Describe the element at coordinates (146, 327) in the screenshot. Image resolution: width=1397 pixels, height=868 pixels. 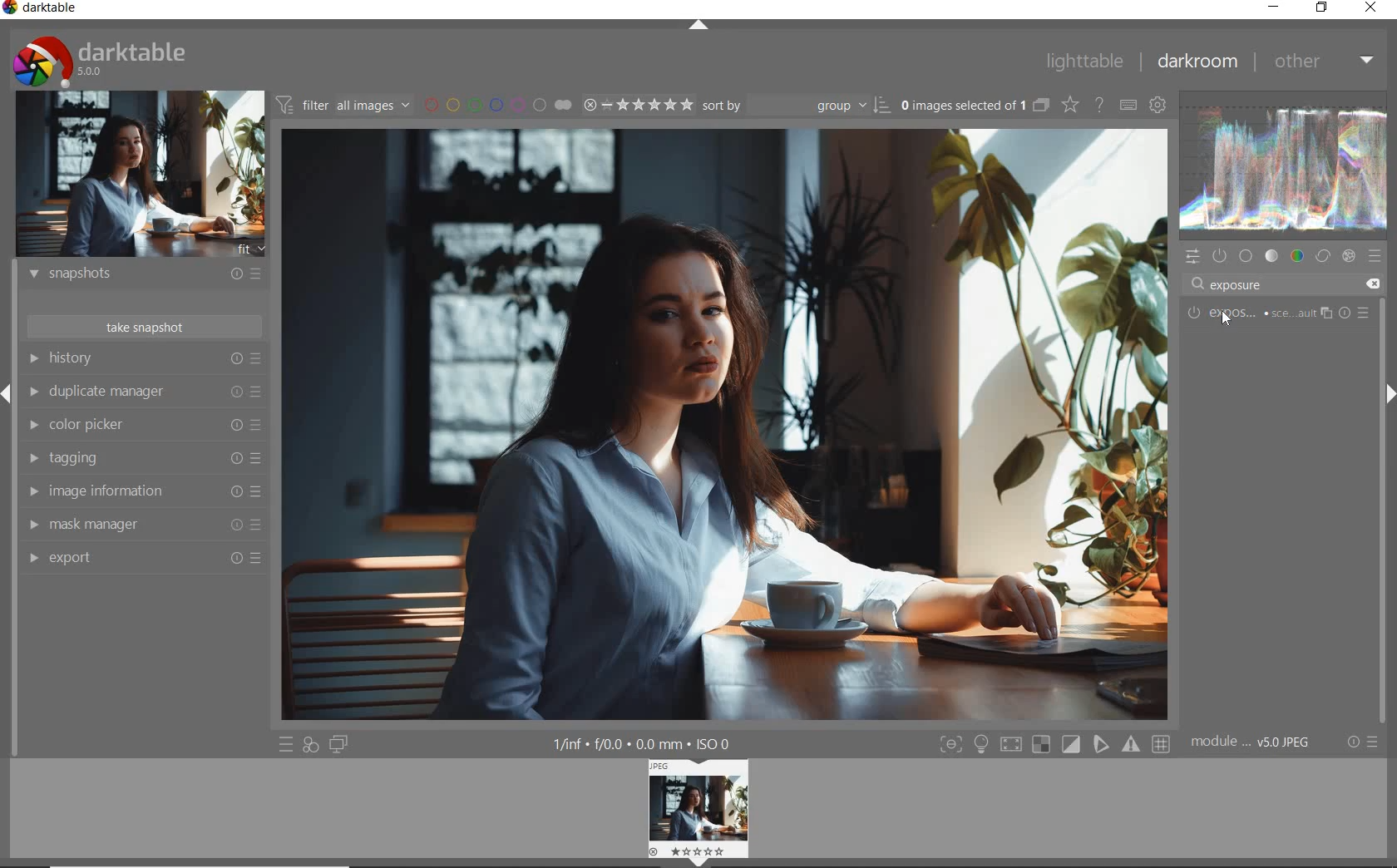
I see `take snapshot` at that location.